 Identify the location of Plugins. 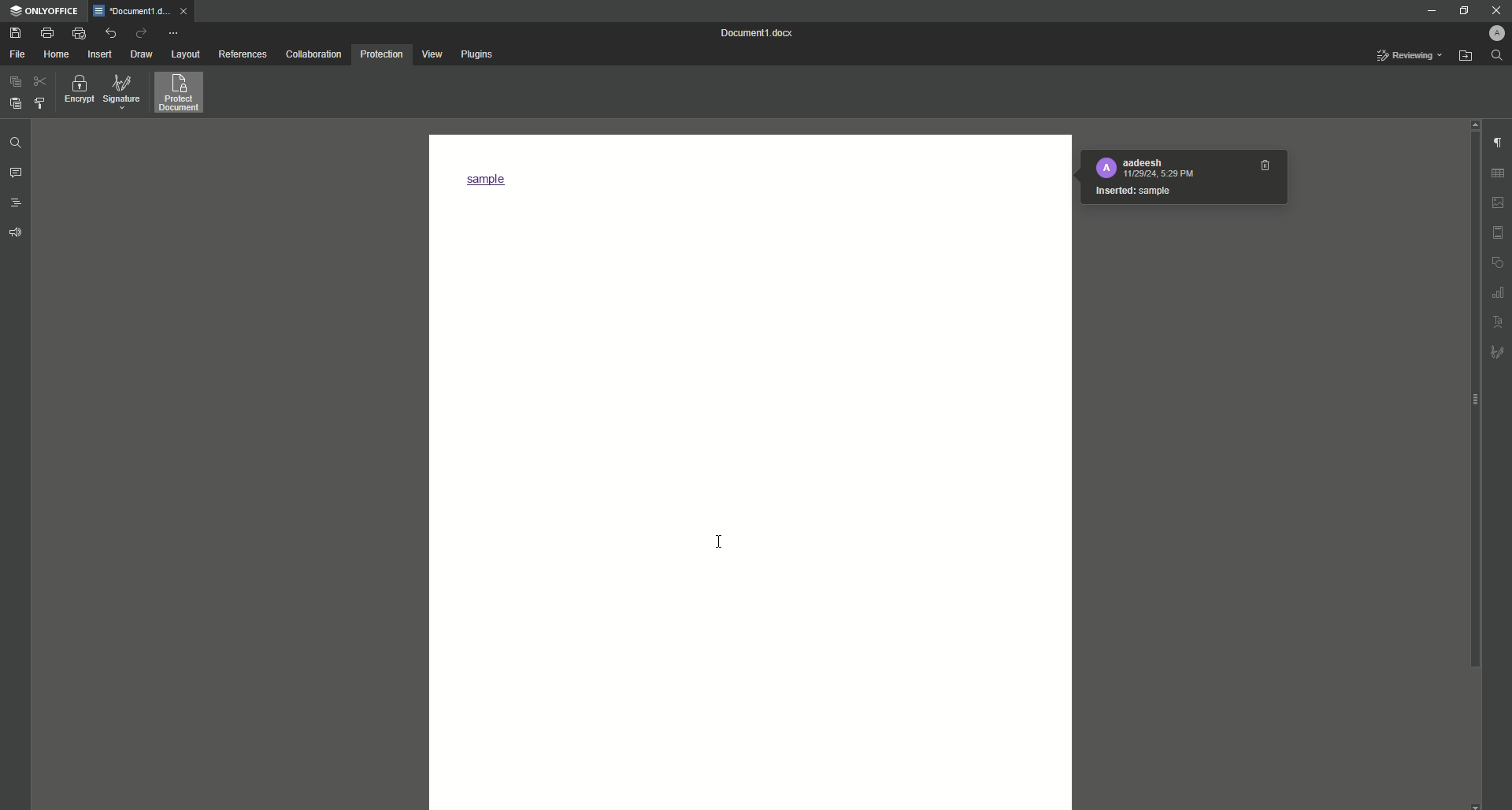
(476, 54).